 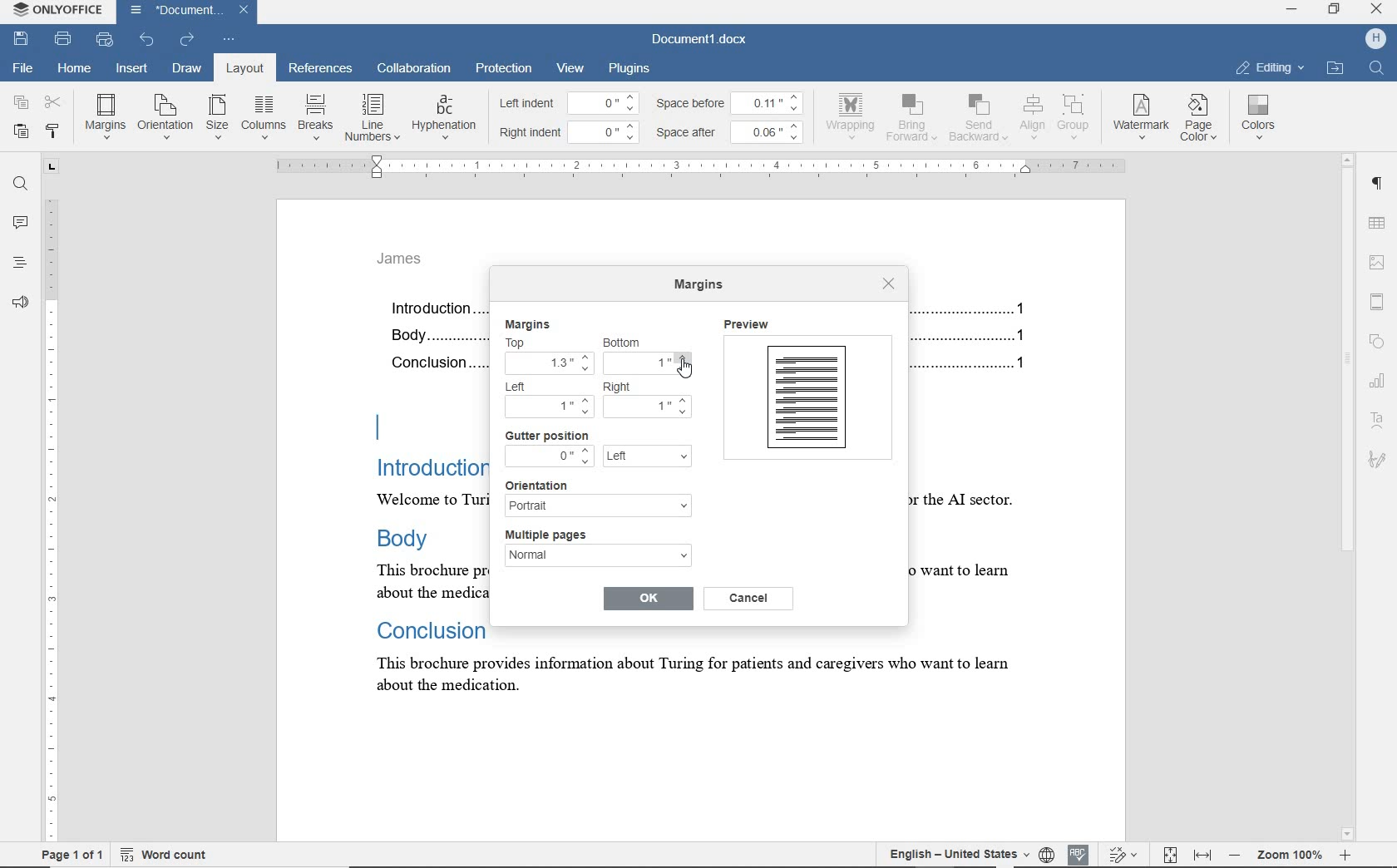 I want to click on 1, so click(x=647, y=404).